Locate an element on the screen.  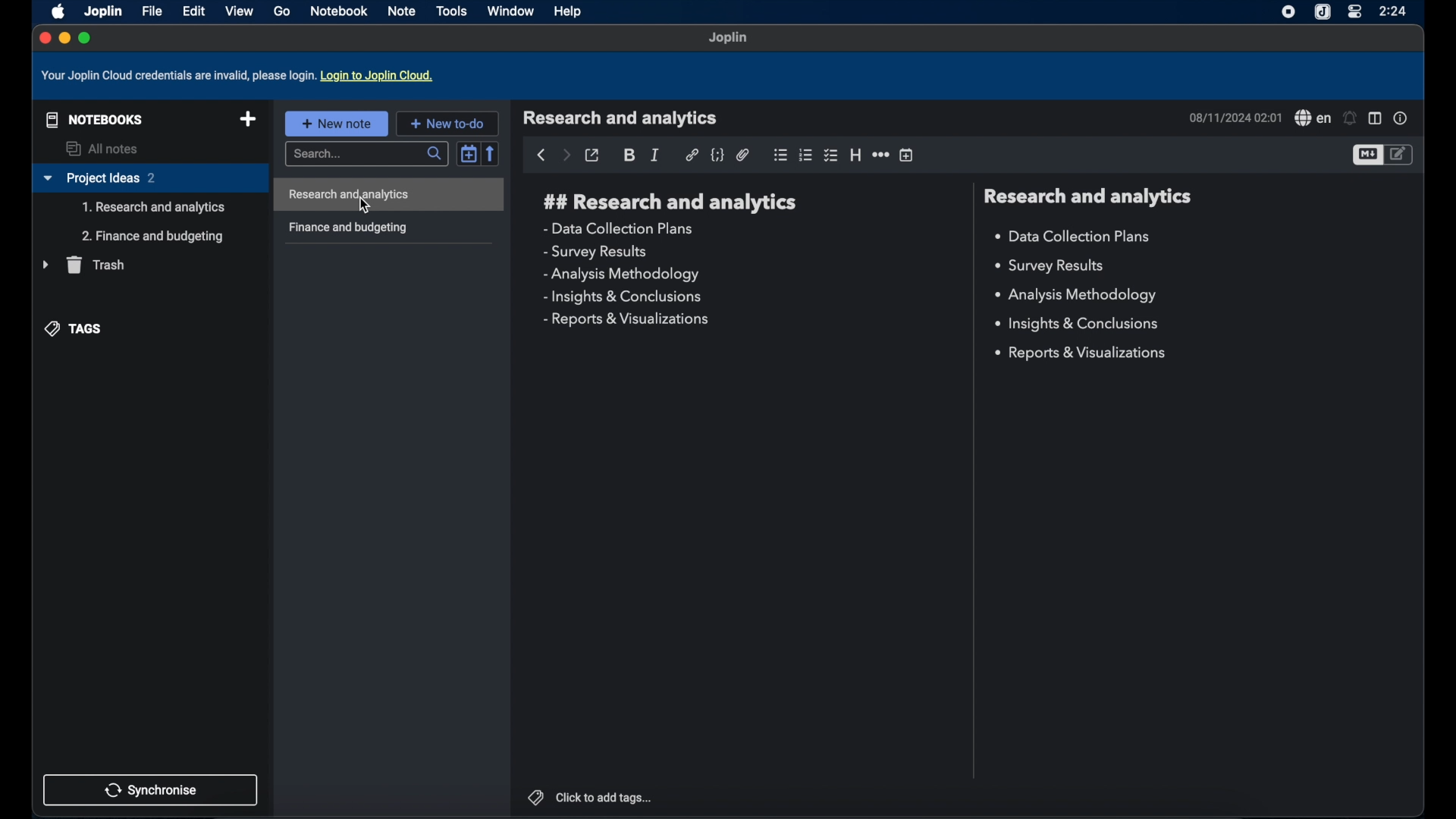
reports and visualizations is located at coordinates (625, 320).